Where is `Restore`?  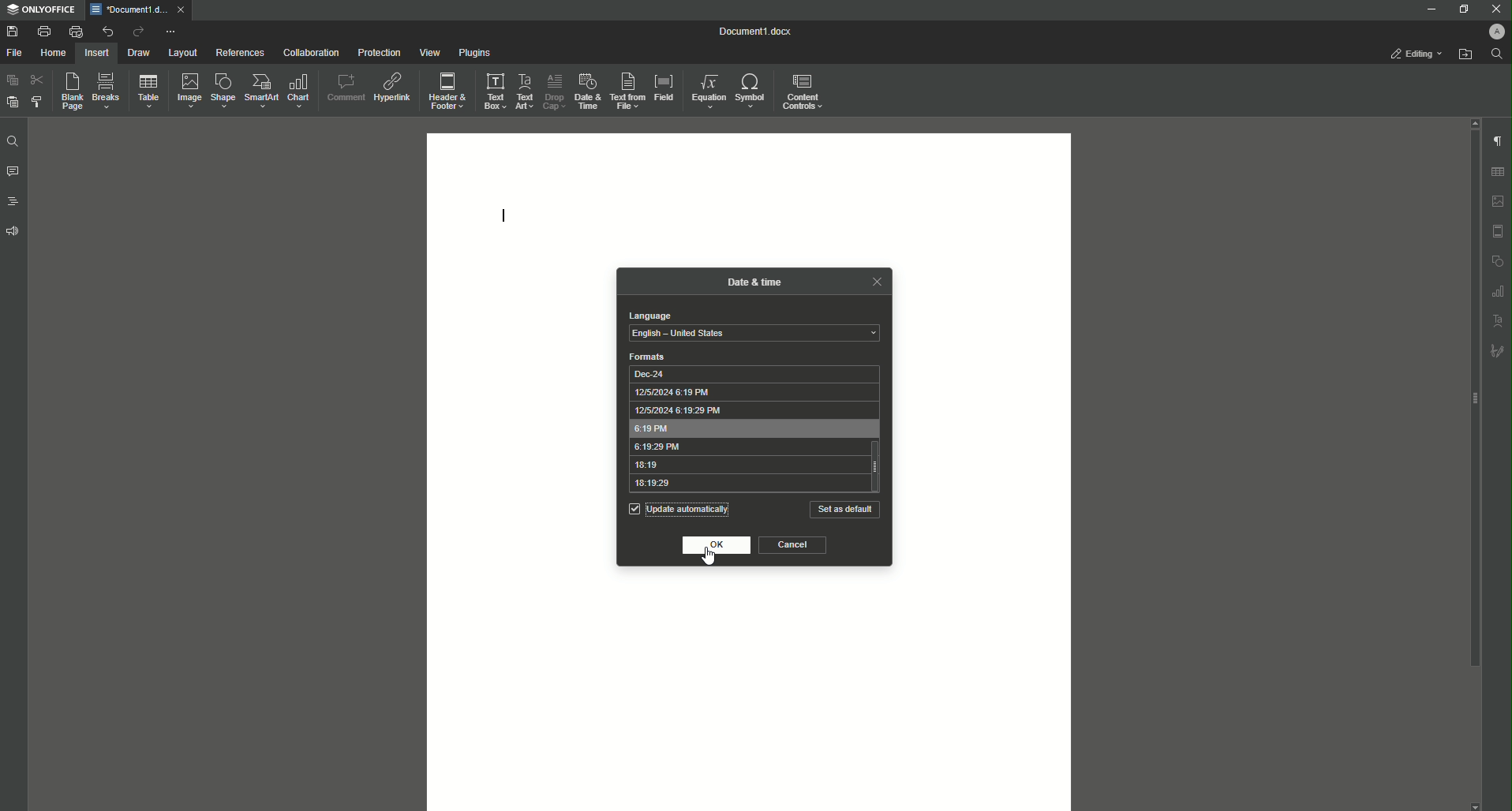 Restore is located at coordinates (1460, 9).